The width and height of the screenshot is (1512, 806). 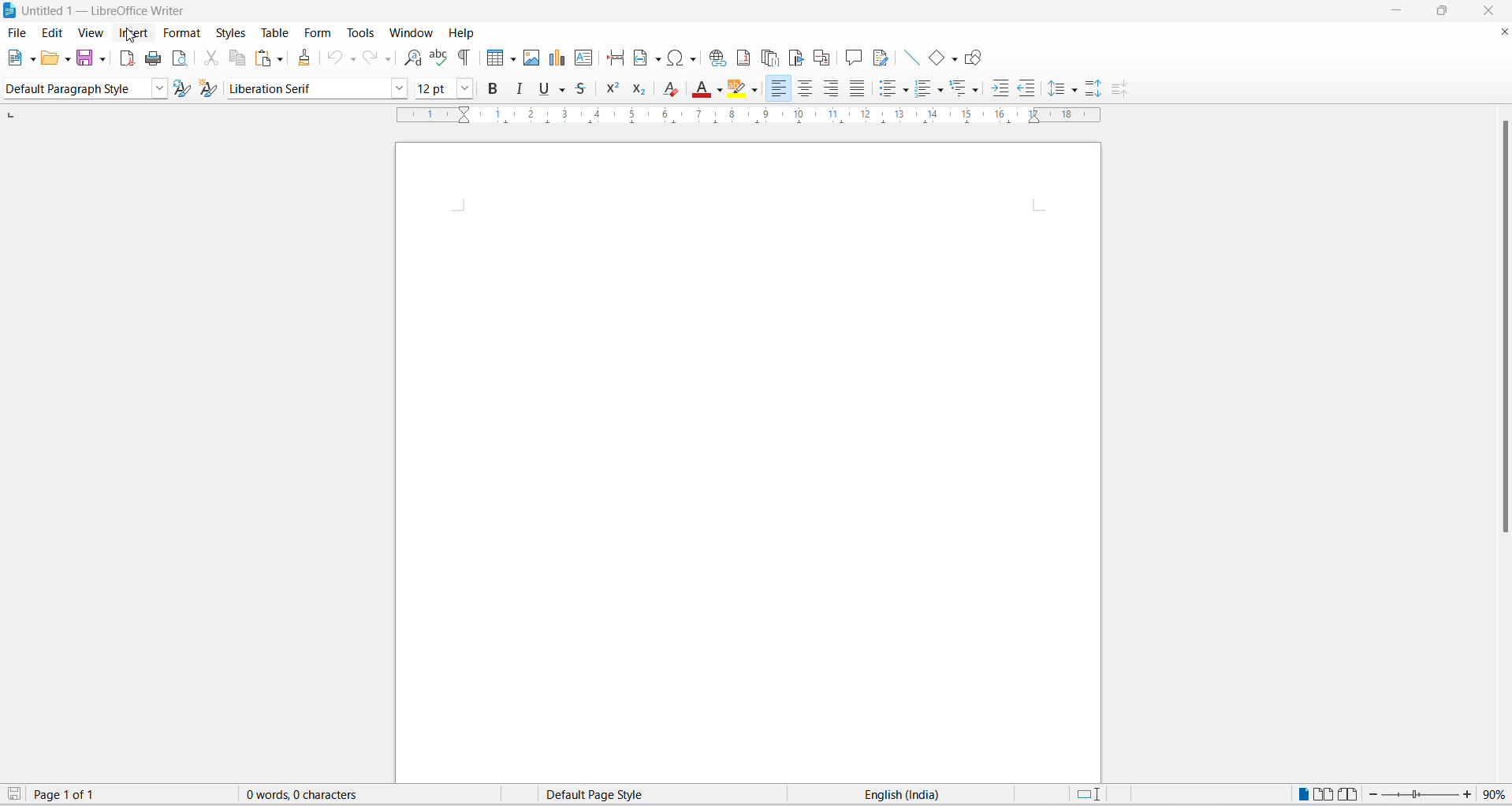 What do you see at coordinates (780, 88) in the screenshot?
I see `text align left` at bounding box center [780, 88].